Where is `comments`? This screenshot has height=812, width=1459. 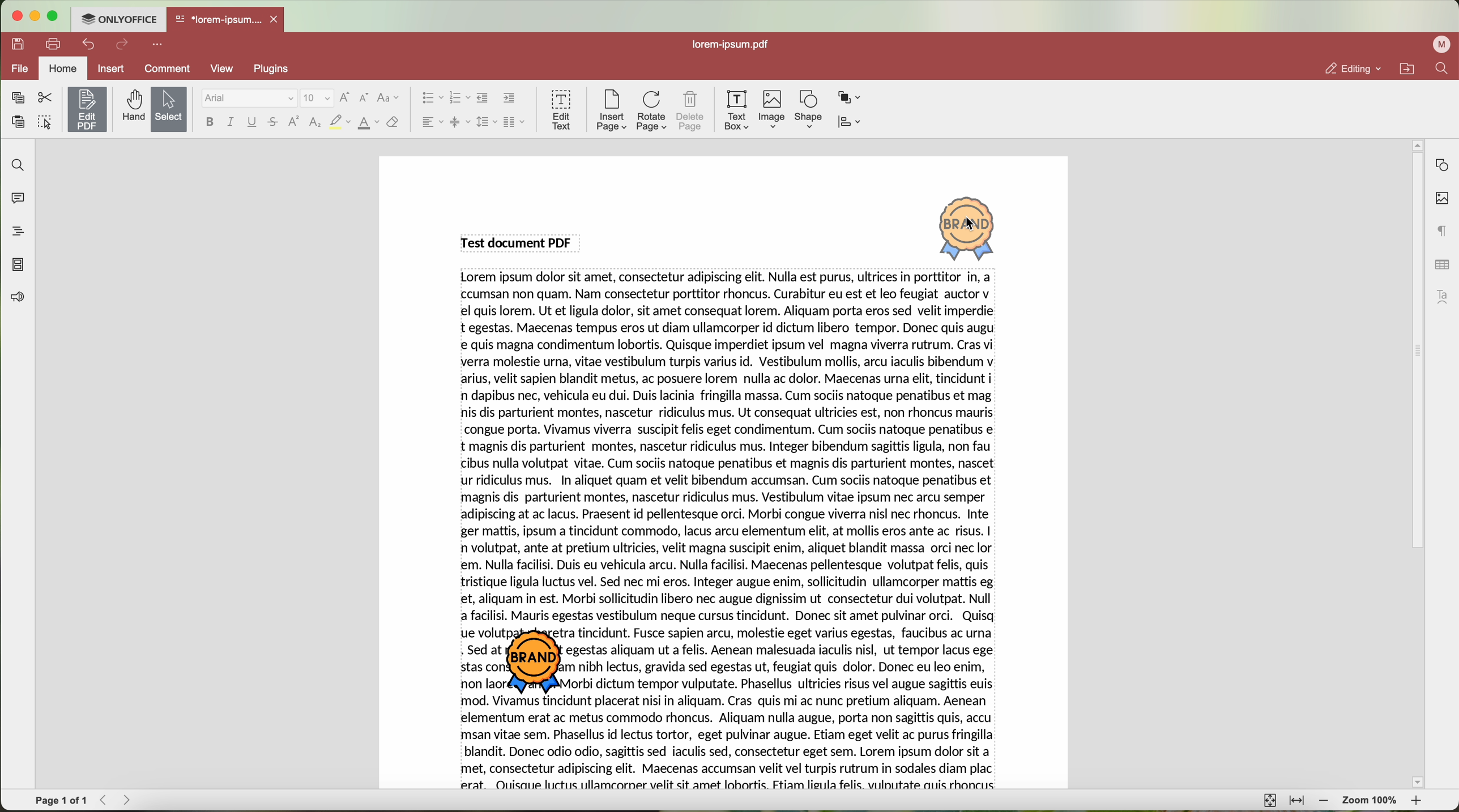
comments is located at coordinates (15, 196).